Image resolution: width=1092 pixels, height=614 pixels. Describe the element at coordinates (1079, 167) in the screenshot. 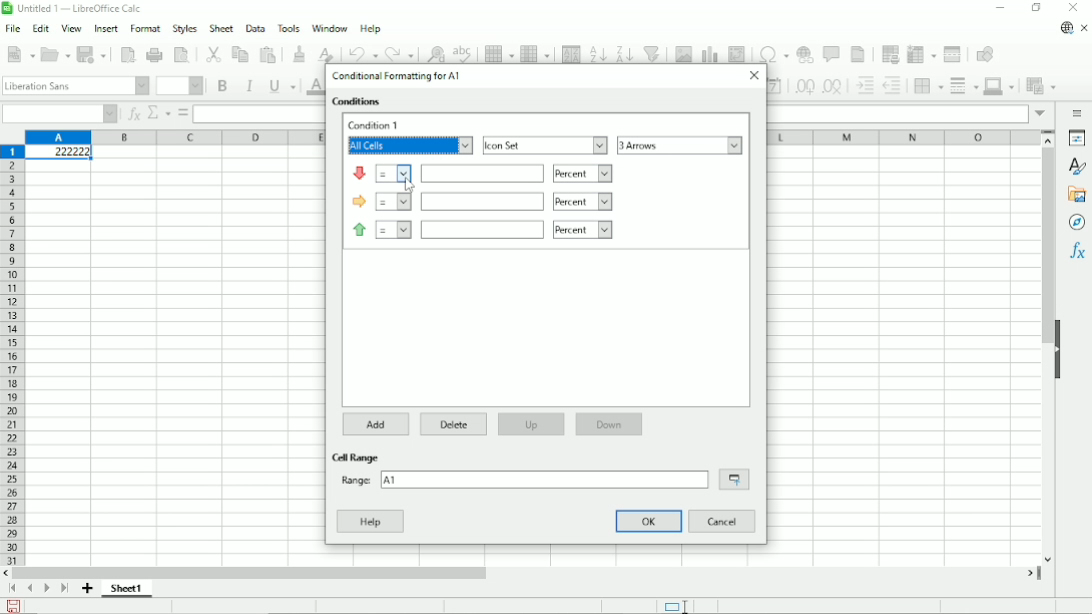

I see `Styles` at that location.